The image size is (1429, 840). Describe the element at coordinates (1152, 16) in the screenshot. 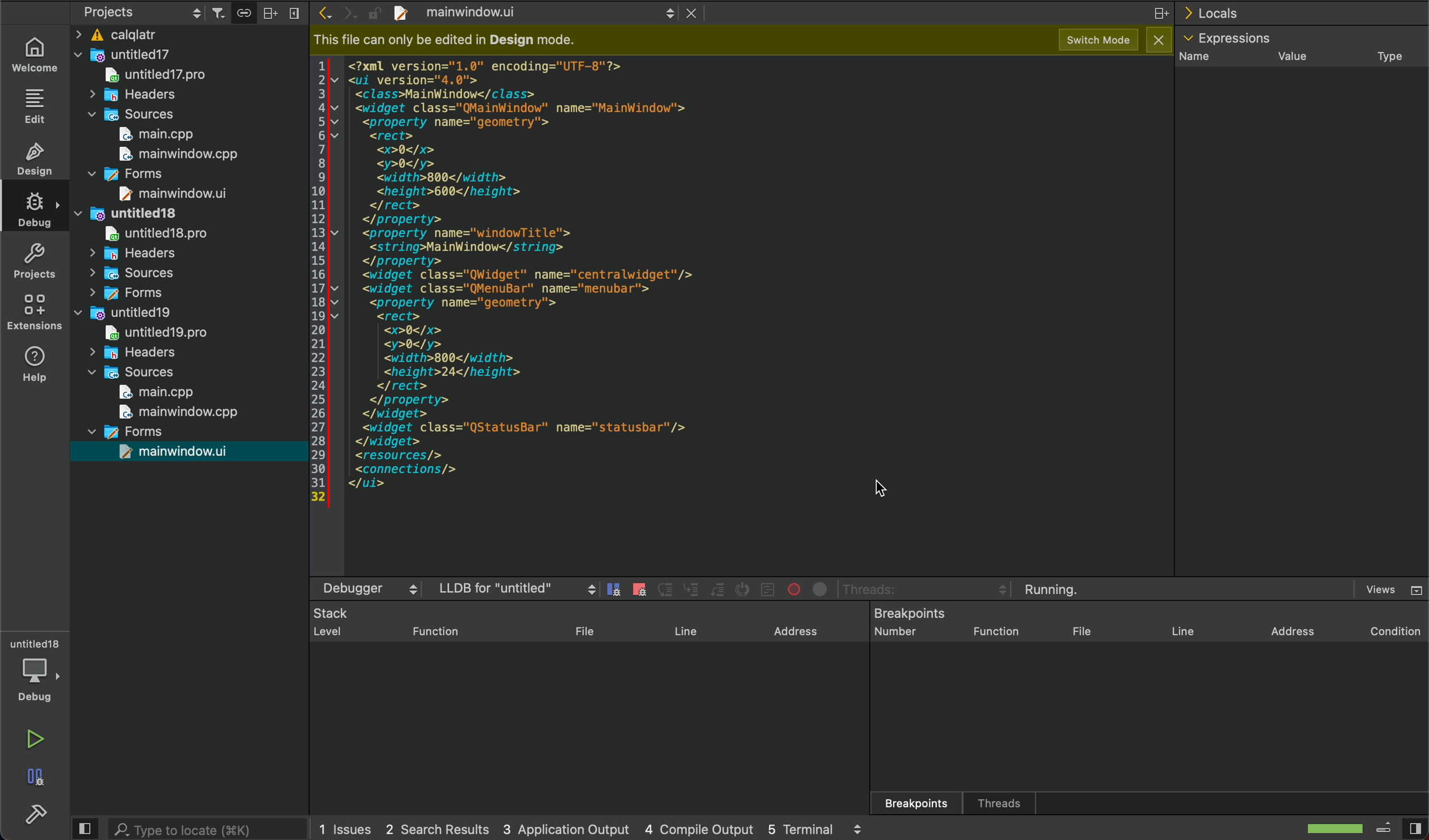

I see `solit` at that location.